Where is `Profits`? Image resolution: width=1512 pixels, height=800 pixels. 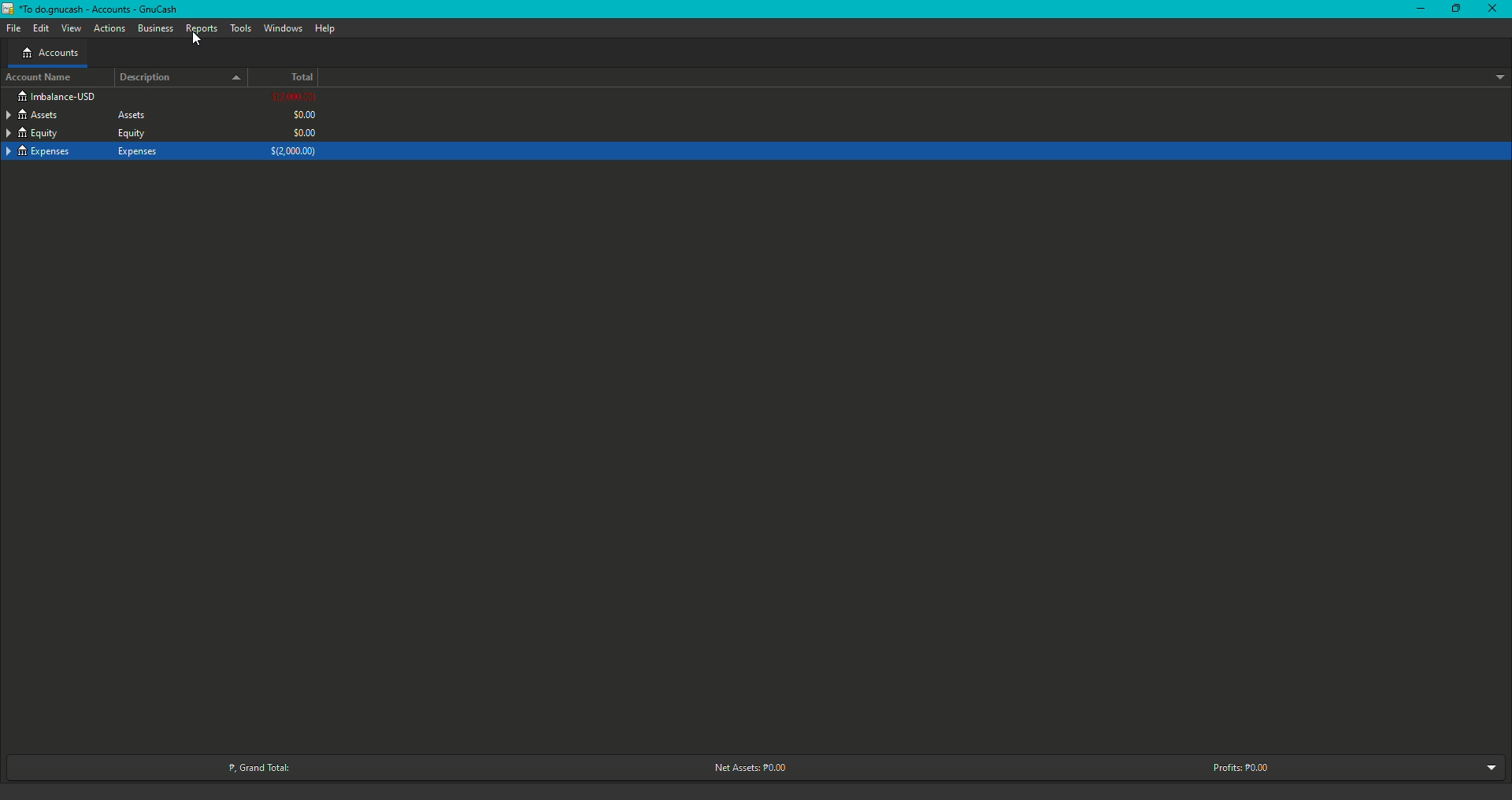 Profits is located at coordinates (1241, 766).